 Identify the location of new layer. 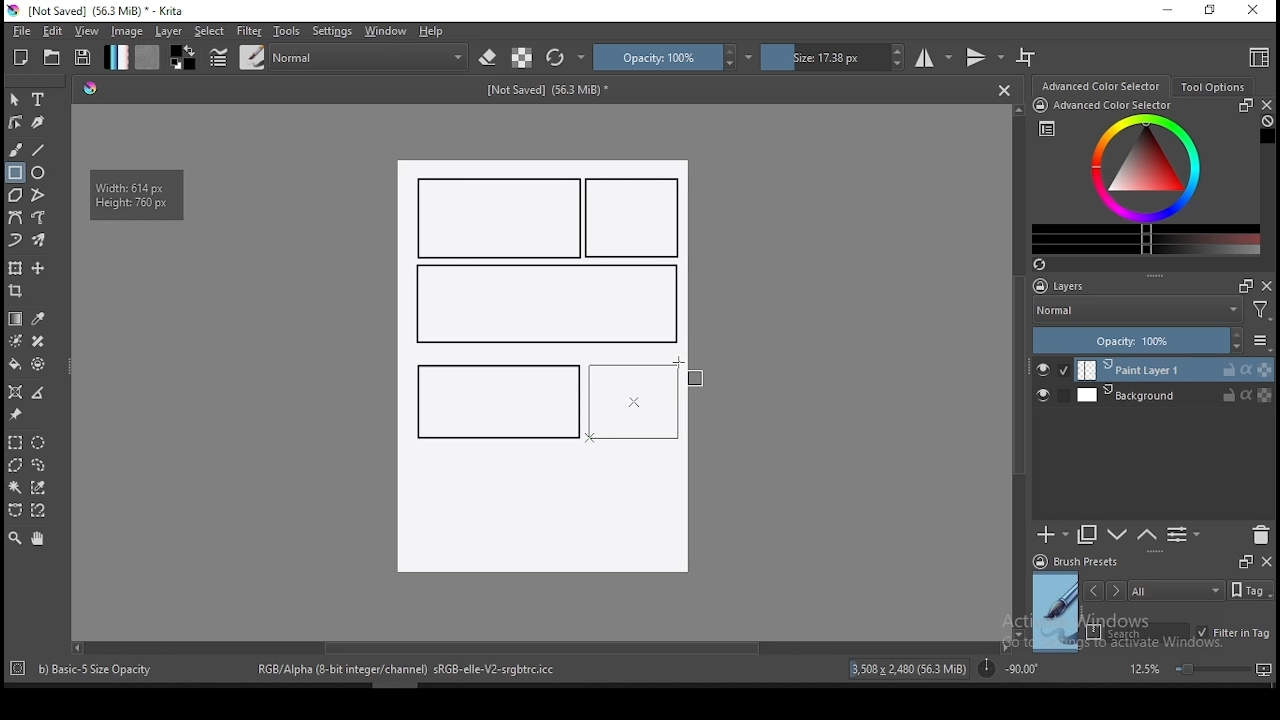
(1053, 534).